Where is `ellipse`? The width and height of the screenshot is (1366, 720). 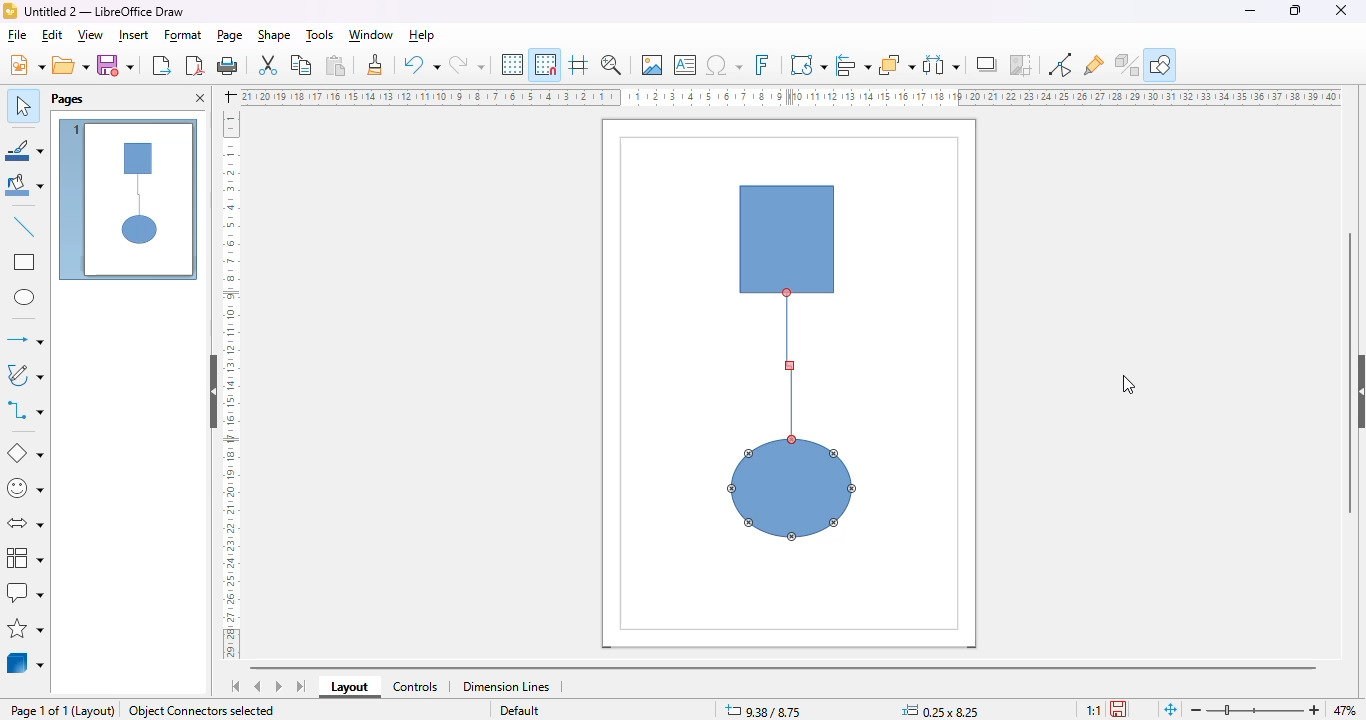
ellipse is located at coordinates (24, 297).